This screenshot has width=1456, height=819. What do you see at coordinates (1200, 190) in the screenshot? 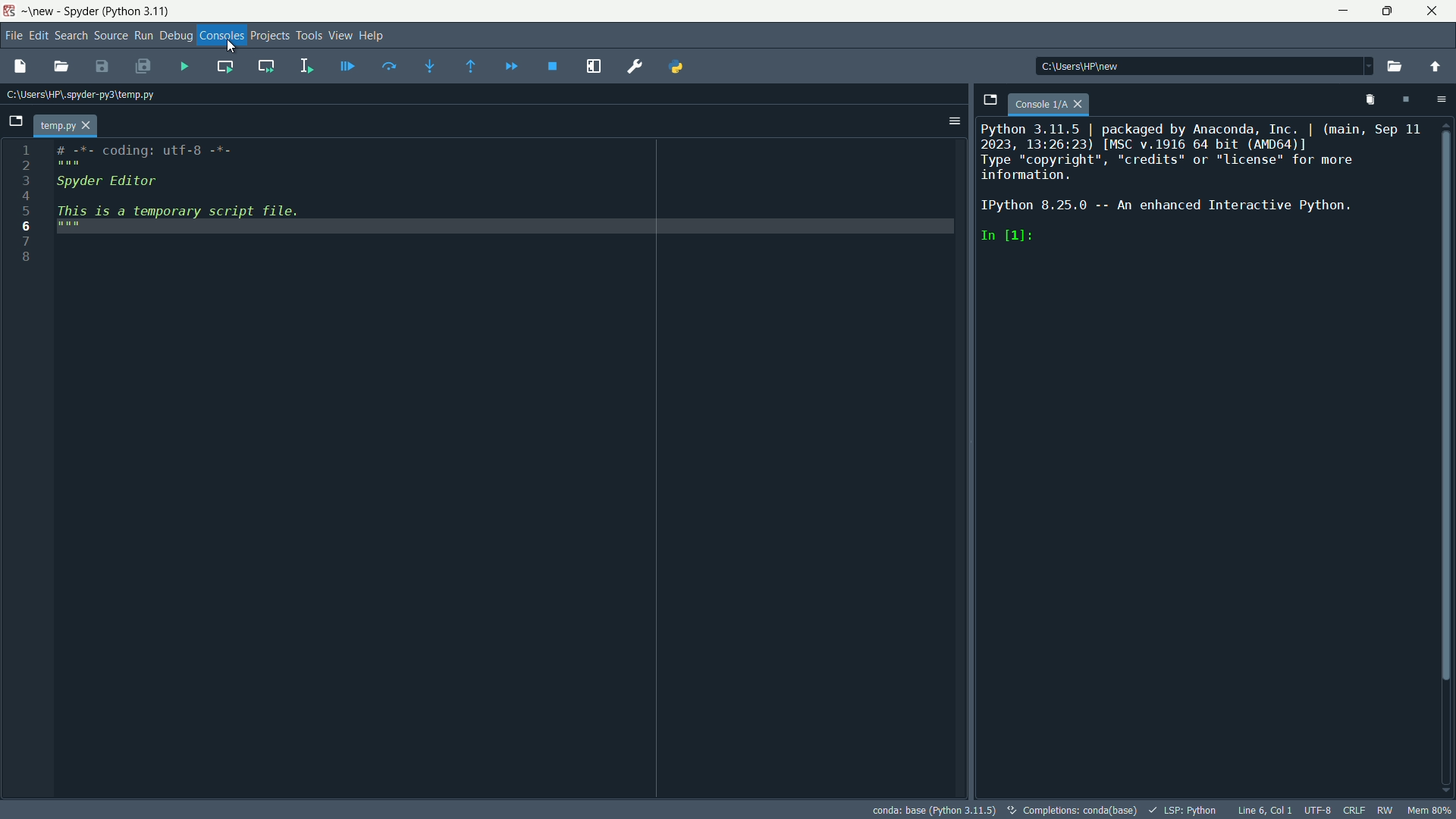
I see `Python 3.11.5 | packaged by Anaconda, Inc. | (main, Sep 11
2023, 13:26:23) [MSC v.1916 64 bit (AMD64)]

Type “copyright”, "credits" or "license" for more
information.

IPython 8.25.0 -- An enhanced Interactive Python.

In [1]:` at bounding box center [1200, 190].